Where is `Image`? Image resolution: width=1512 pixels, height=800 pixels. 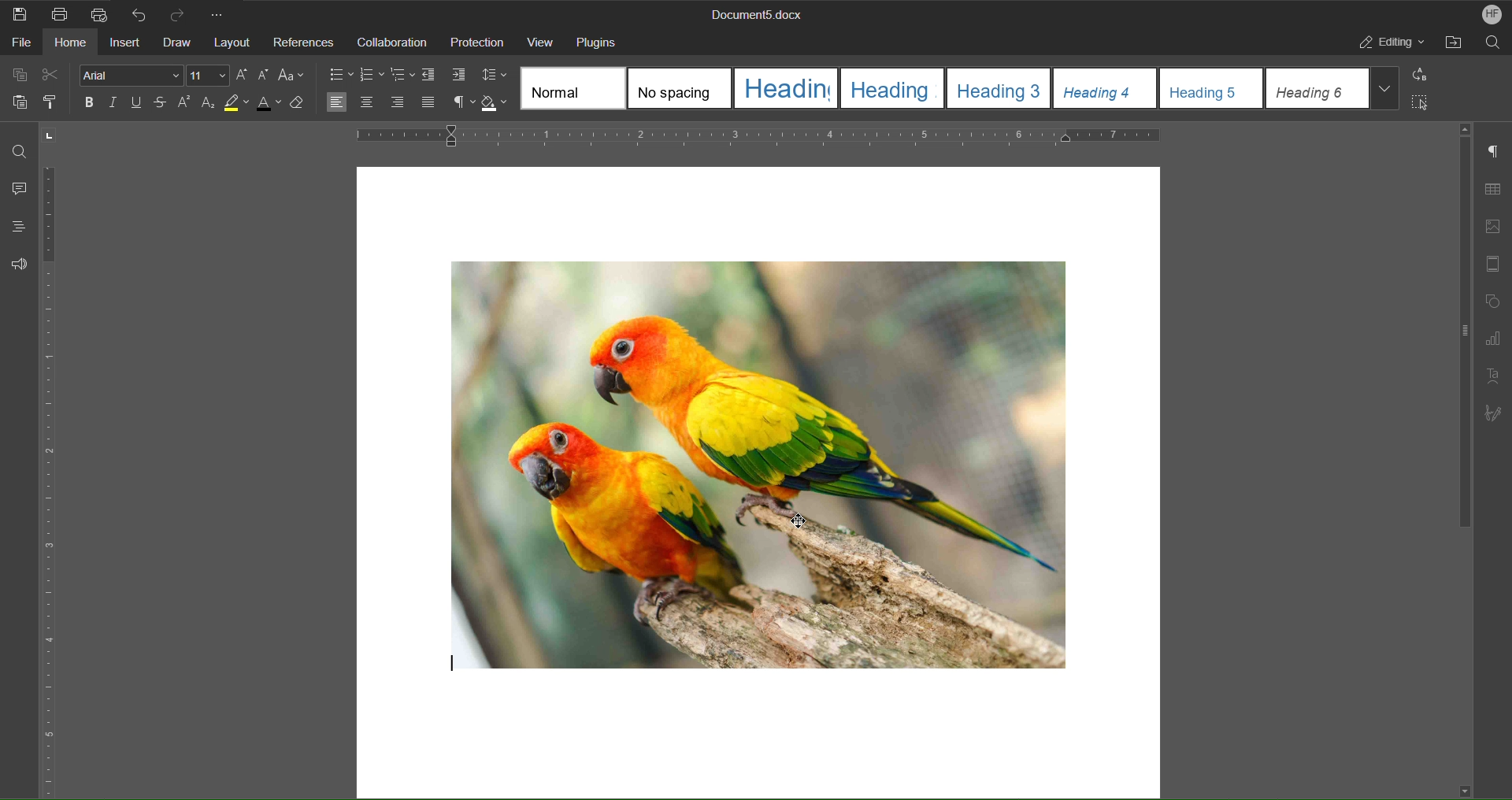 Image is located at coordinates (752, 466).